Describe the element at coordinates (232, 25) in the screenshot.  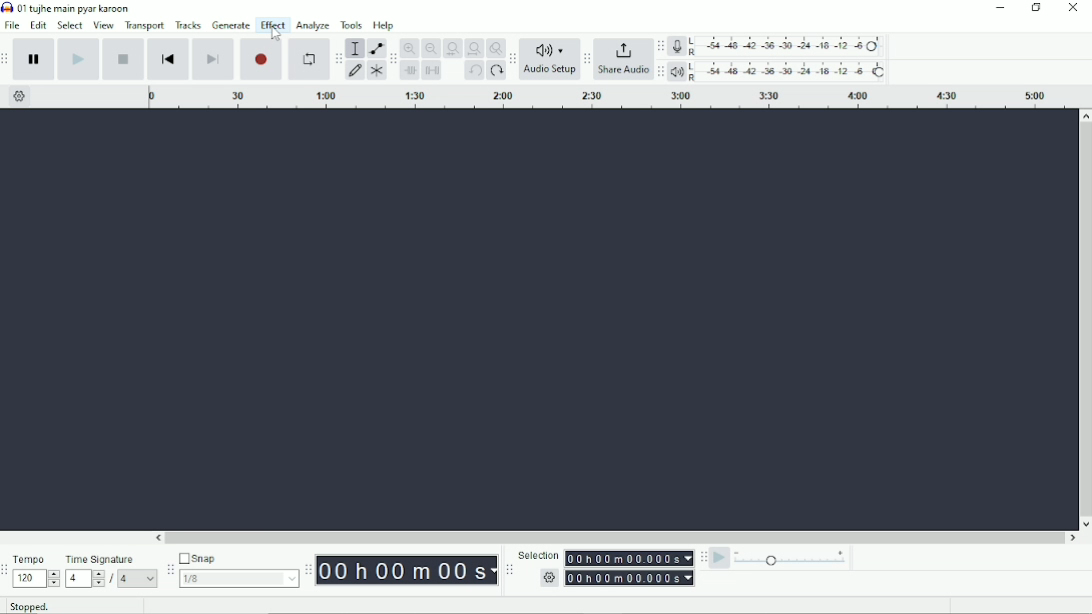
I see `Generate` at that location.